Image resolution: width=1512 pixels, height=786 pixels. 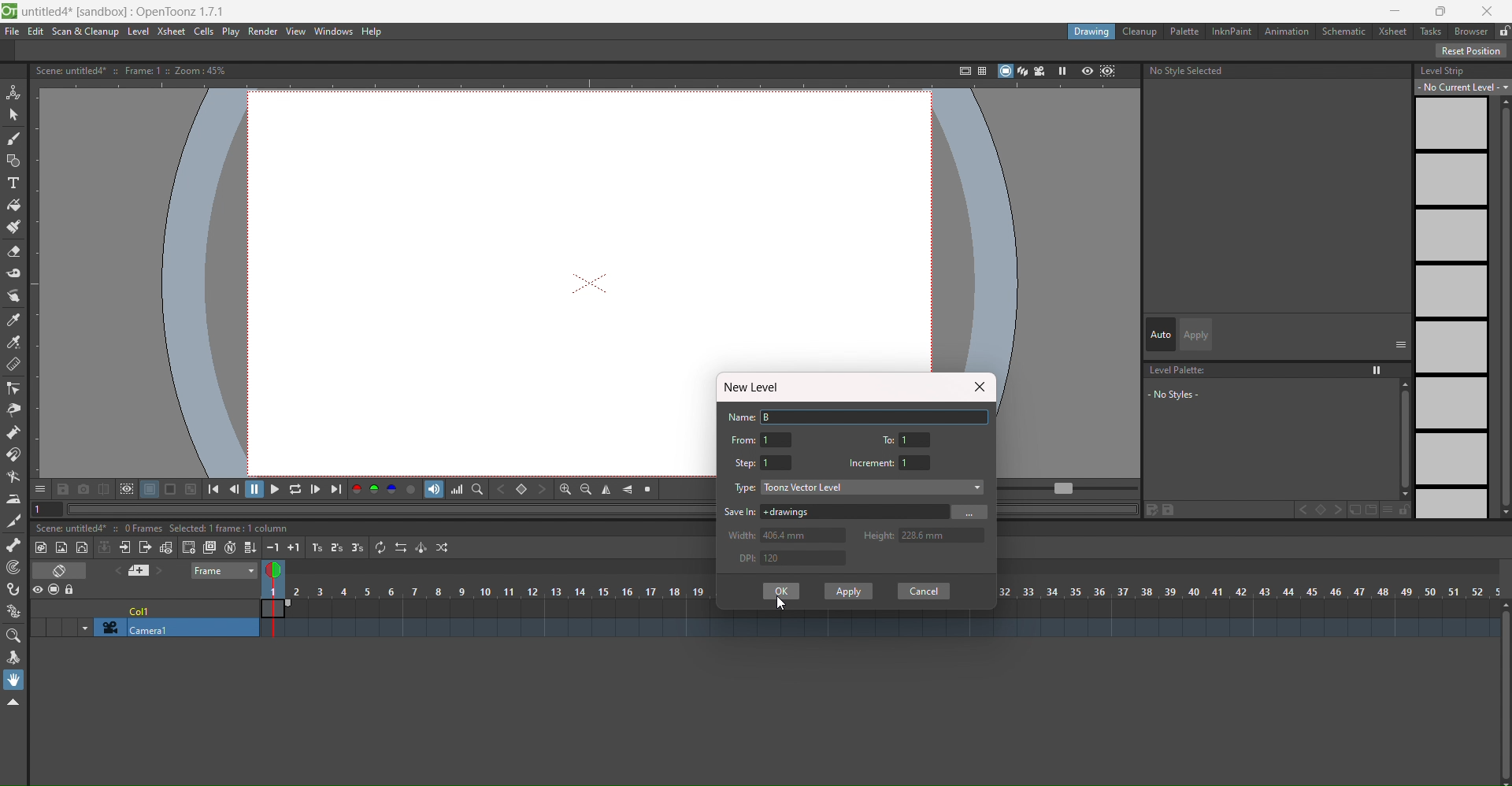 I want to click on apply, so click(x=850, y=591).